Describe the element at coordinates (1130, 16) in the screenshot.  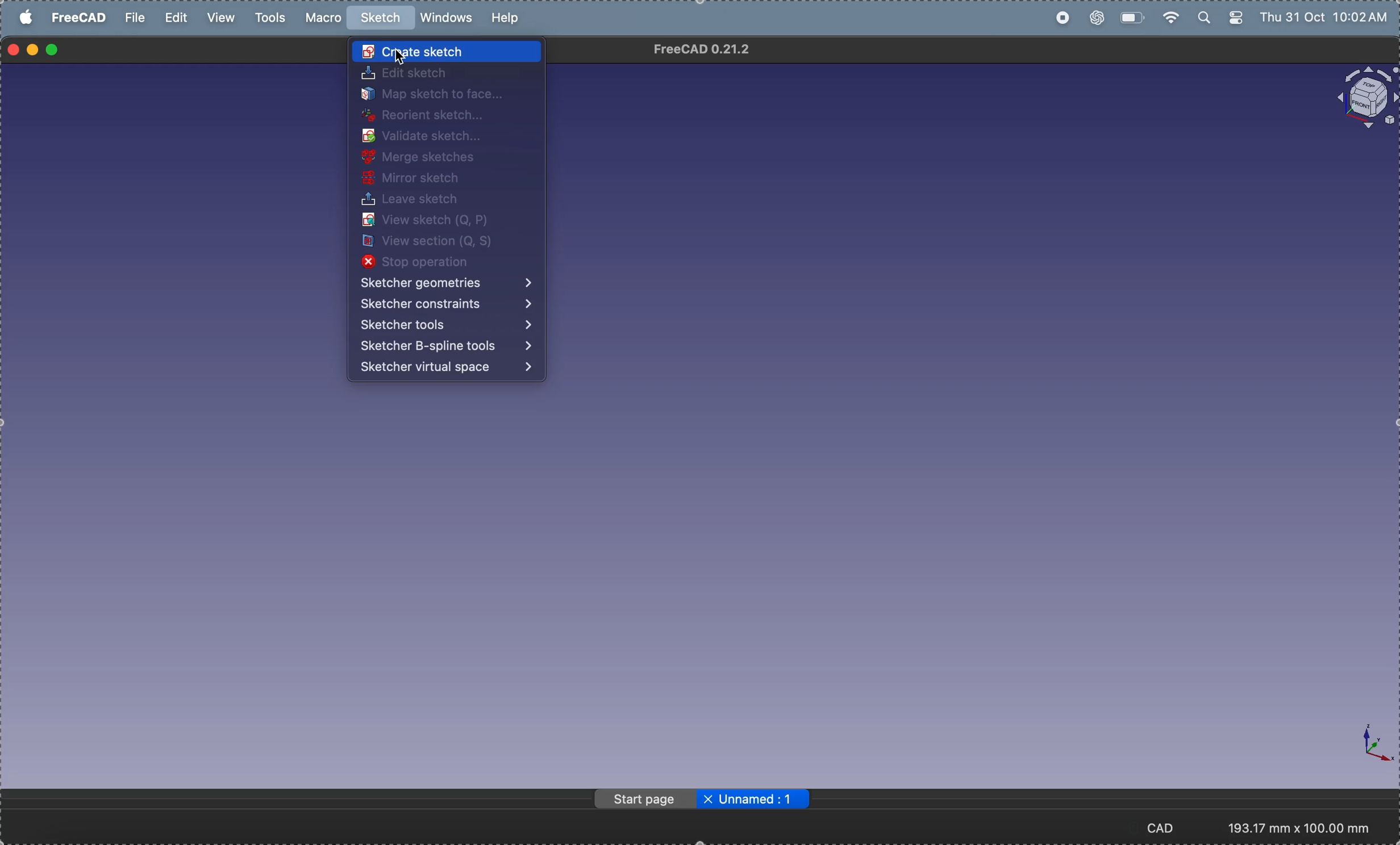
I see `battery` at that location.